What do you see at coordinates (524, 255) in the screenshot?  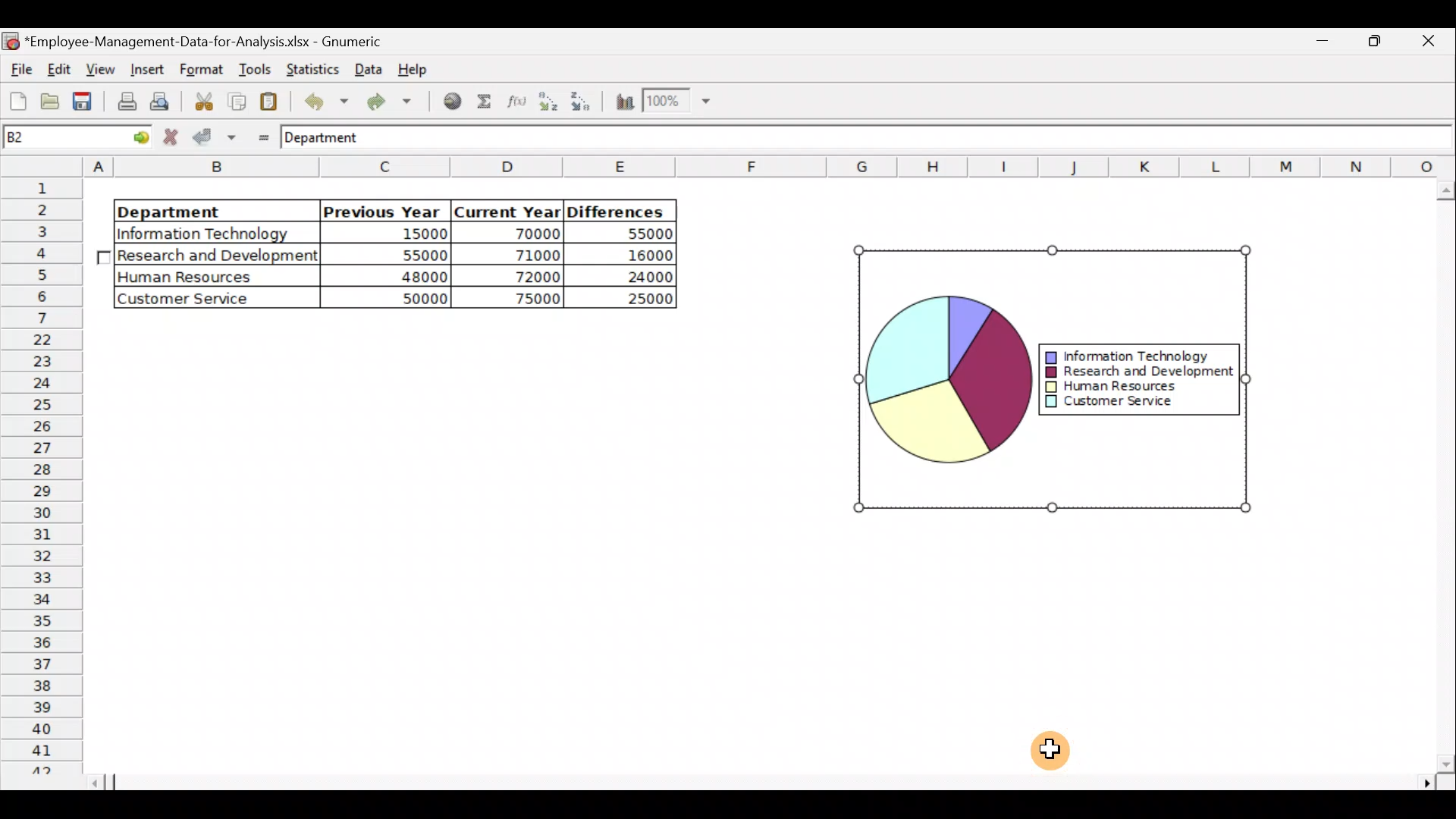 I see `71000` at bounding box center [524, 255].